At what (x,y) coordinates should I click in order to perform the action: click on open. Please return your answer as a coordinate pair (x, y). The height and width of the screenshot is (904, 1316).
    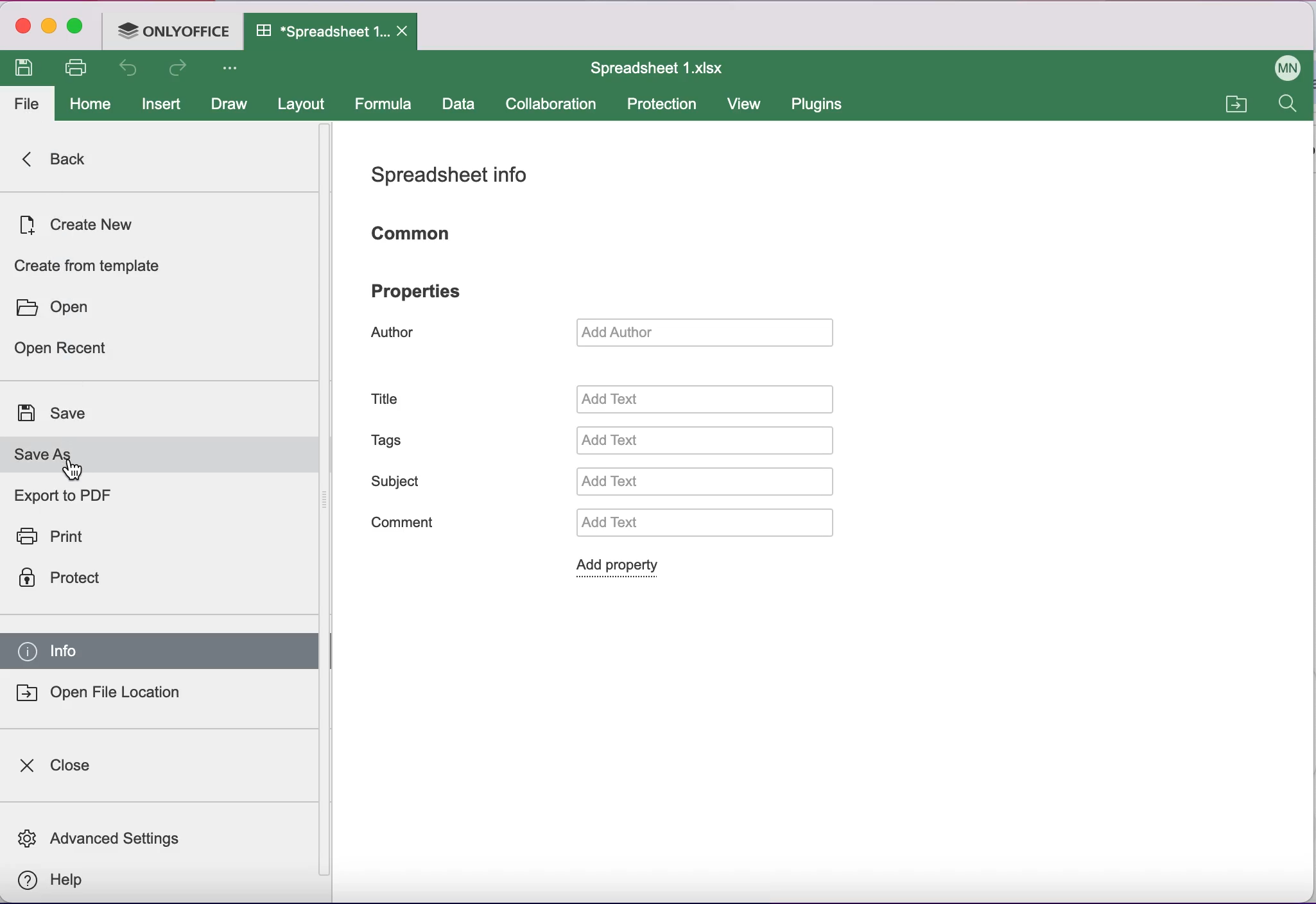
    Looking at the image, I should click on (59, 309).